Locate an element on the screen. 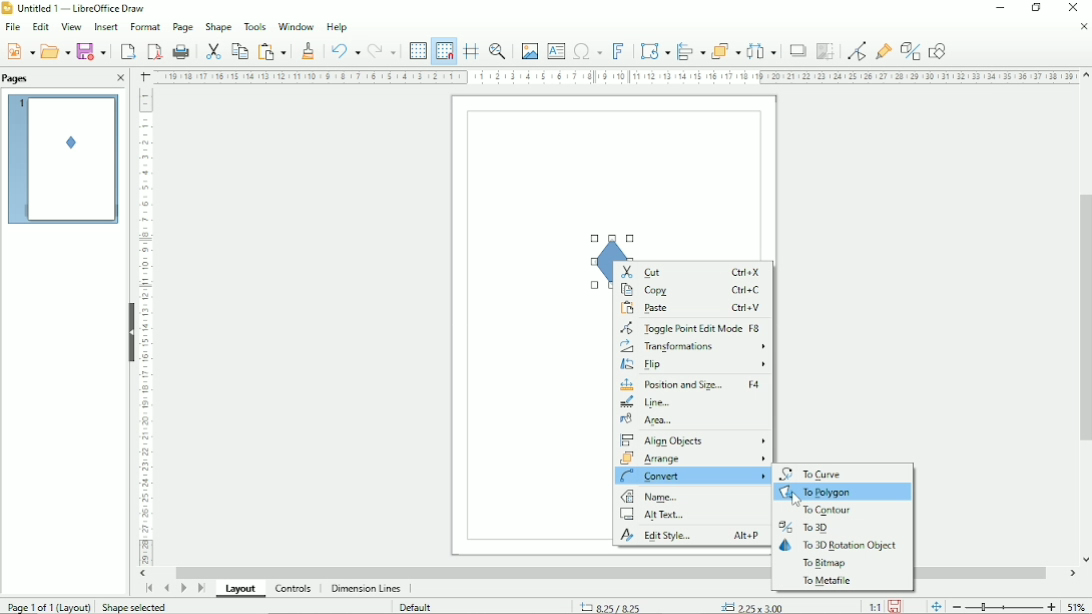 This screenshot has width=1092, height=614. View is located at coordinates (71, 27).